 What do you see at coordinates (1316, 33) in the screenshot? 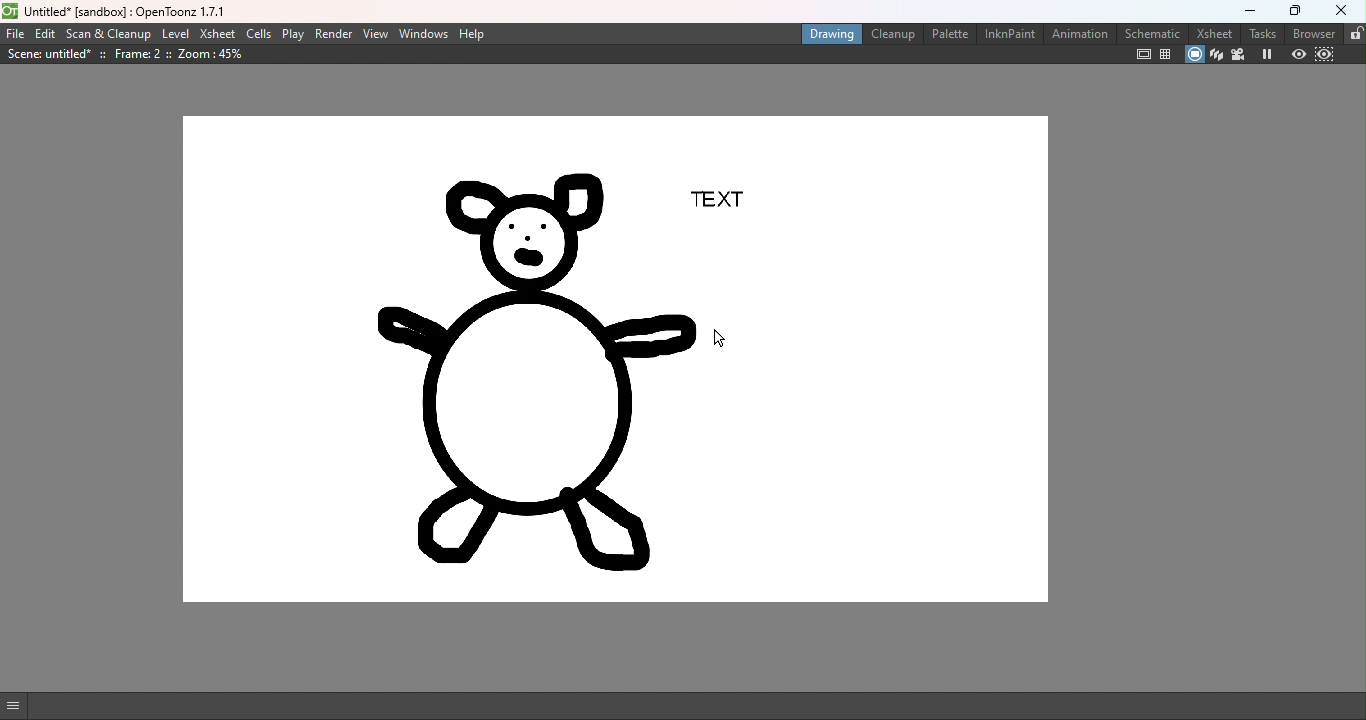
I see `Browser` at bounding box center [1316, 33].